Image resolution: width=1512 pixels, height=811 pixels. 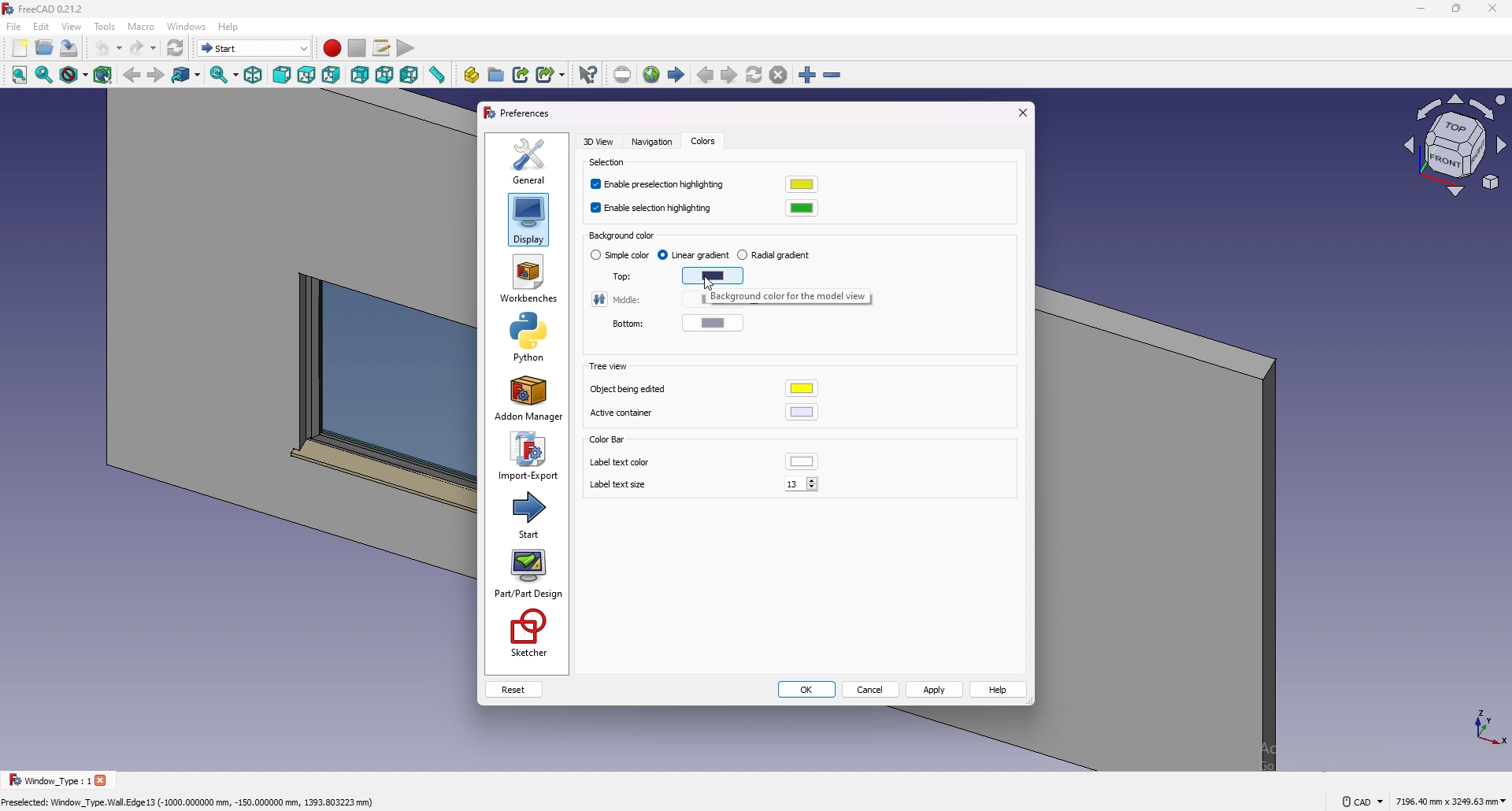 What do you see at coordinates (155, 76) in the screenshot?
I see `forward` at bounding box center [155, 76].